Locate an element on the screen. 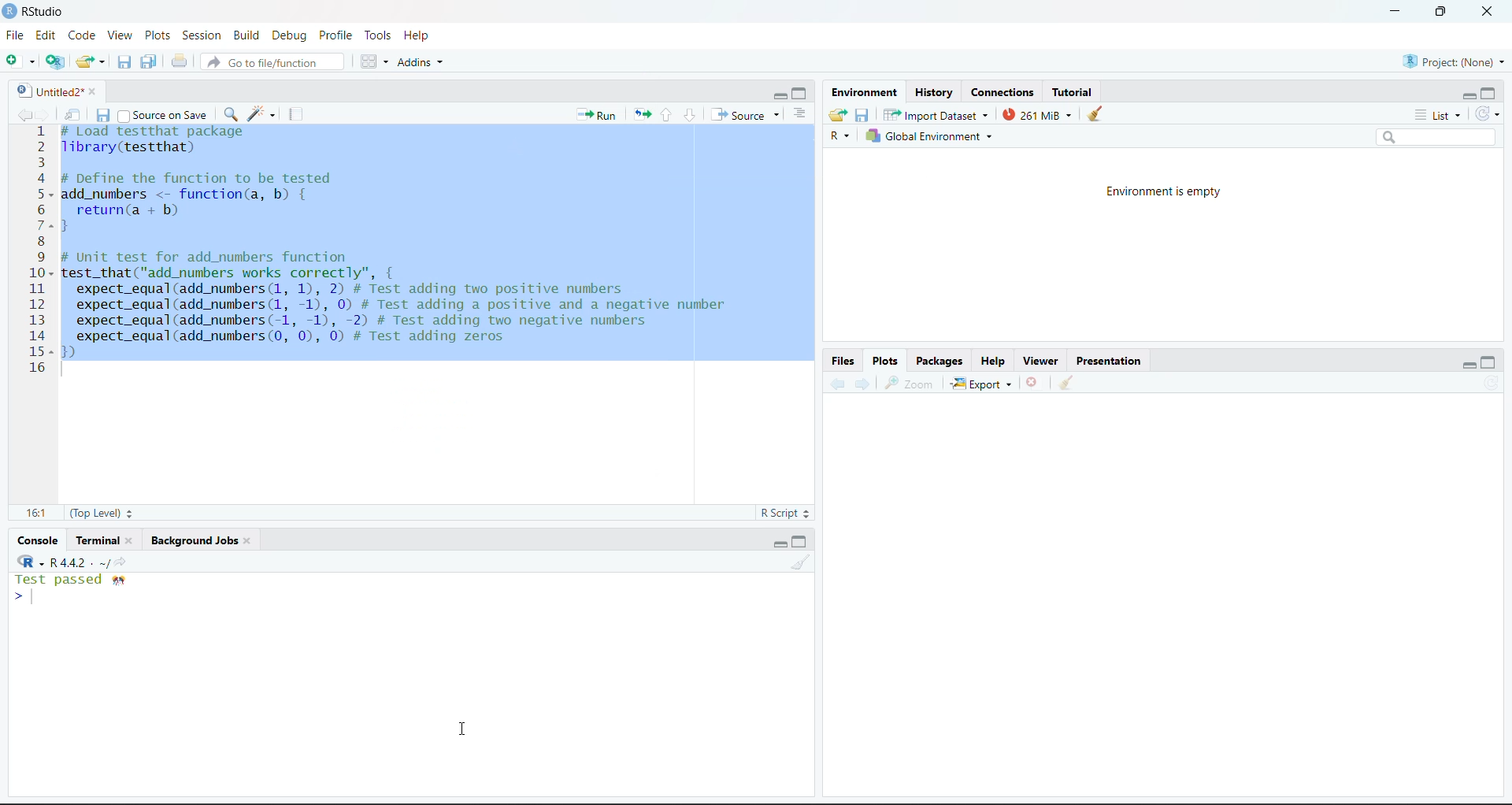 The image size is (1512, 805). maximize is located at coordinates (1490, 91).